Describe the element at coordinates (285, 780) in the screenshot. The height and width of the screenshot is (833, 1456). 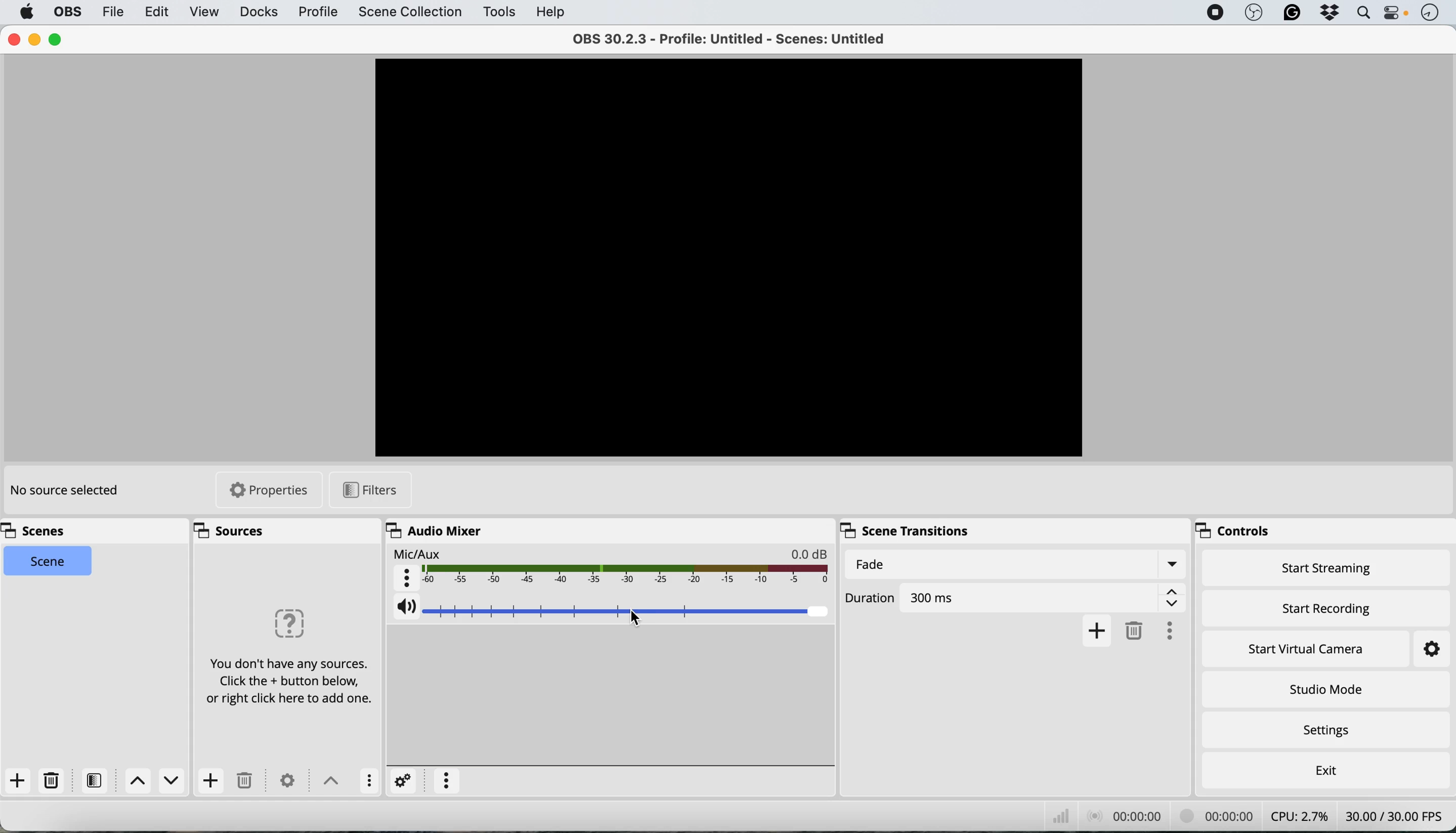
I see `settings` at that location.